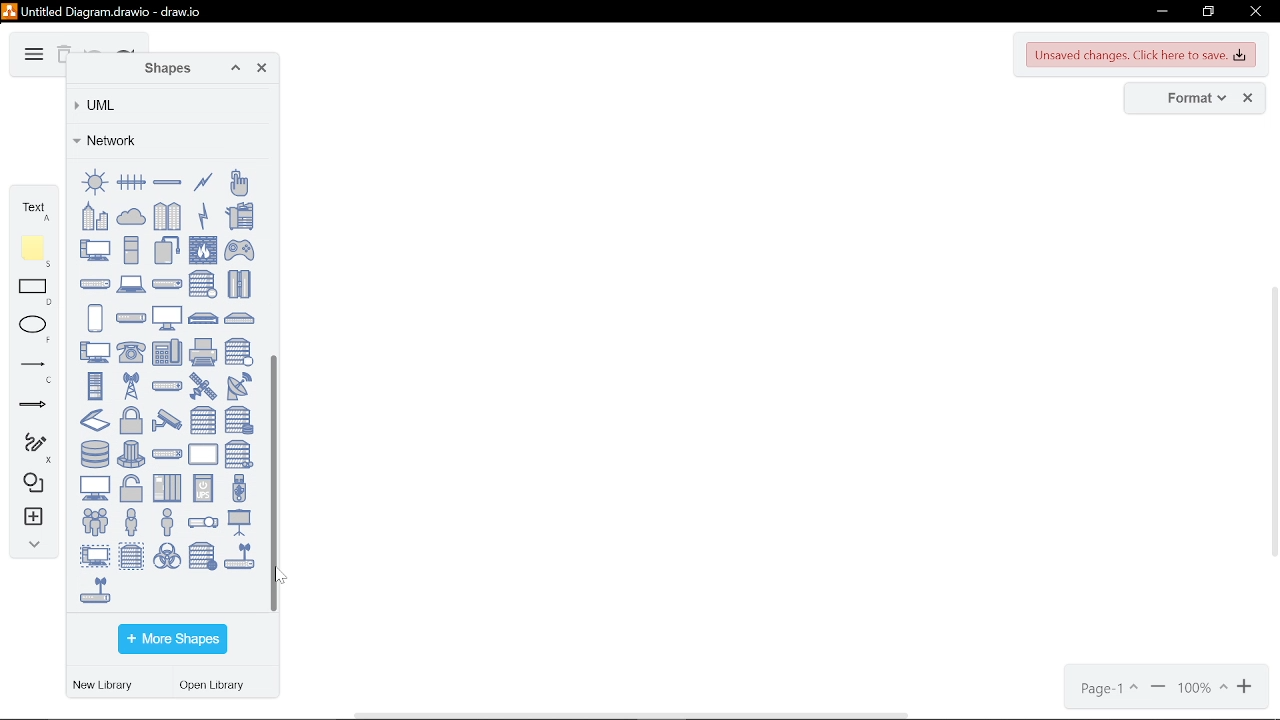 The height and width of the screenshot is (720, 1280). What do you see at coordinates (239, 386) in the screenshot?
I see `satellite dish` at bounding box center [239, 386].